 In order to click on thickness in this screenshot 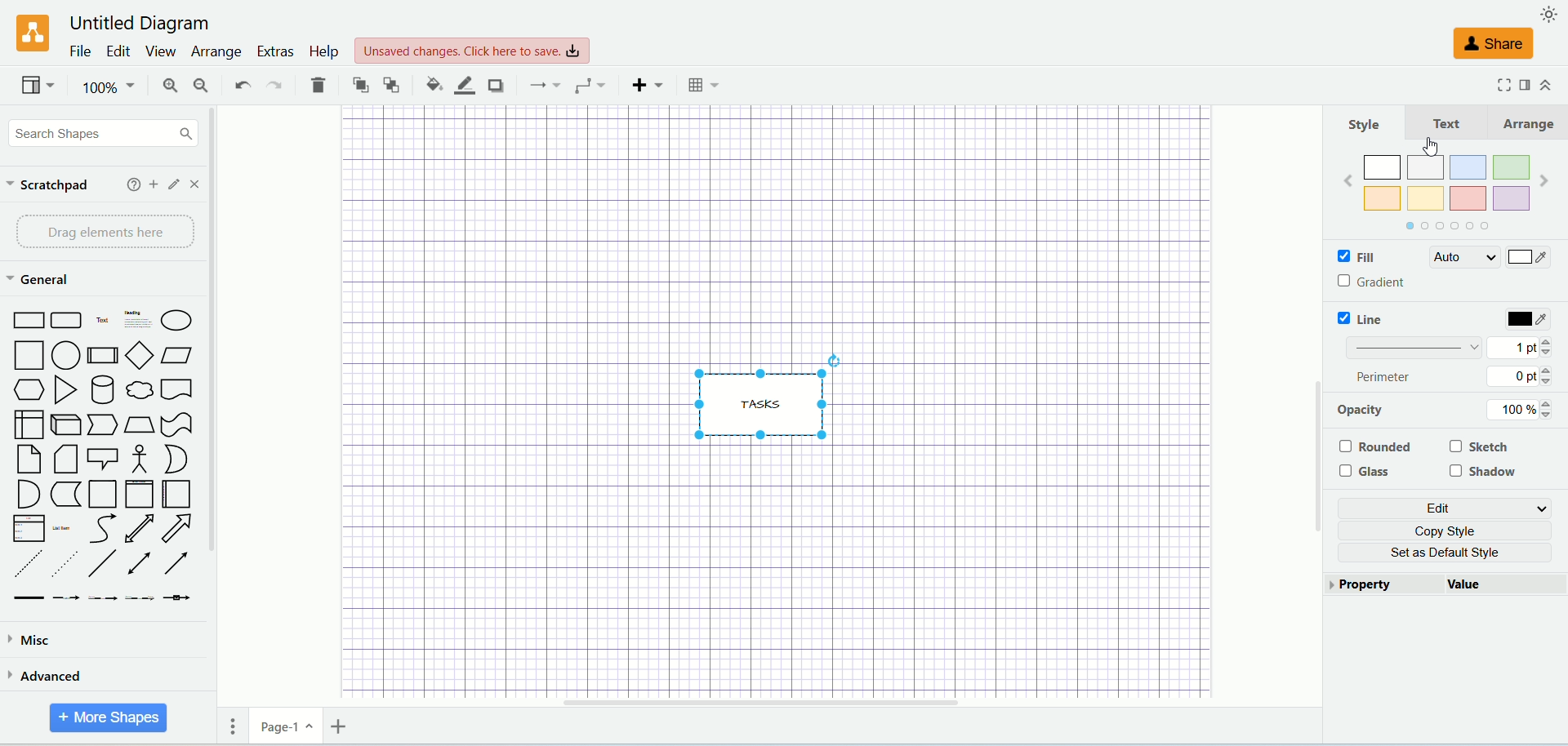, I will do `click(1410, 348)`.